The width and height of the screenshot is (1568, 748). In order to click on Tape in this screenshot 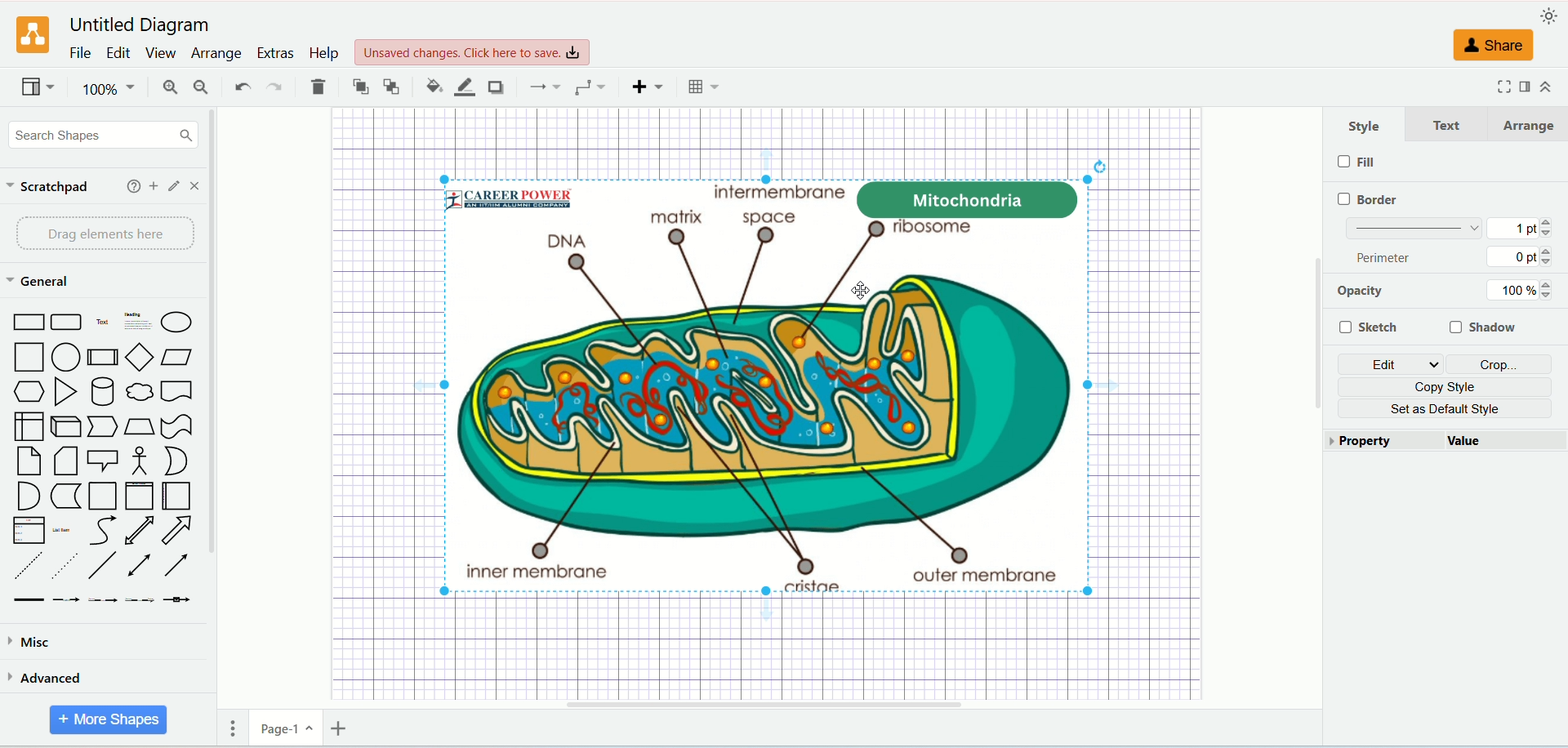, I will do `click(176, 428)`.